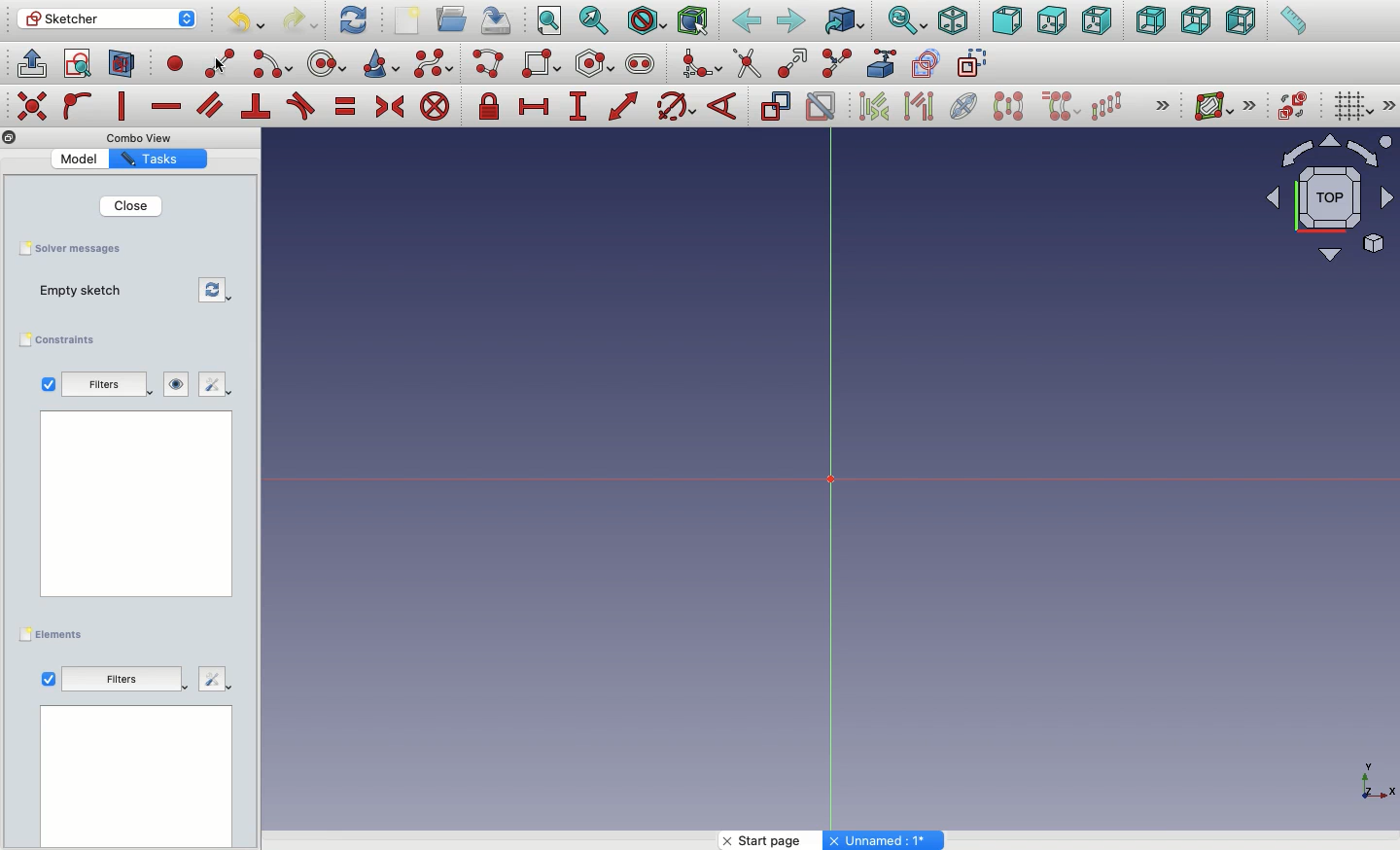 The height and width of the screenshot is (850, 1400). I want to click on Split edge, so click(838, 62).